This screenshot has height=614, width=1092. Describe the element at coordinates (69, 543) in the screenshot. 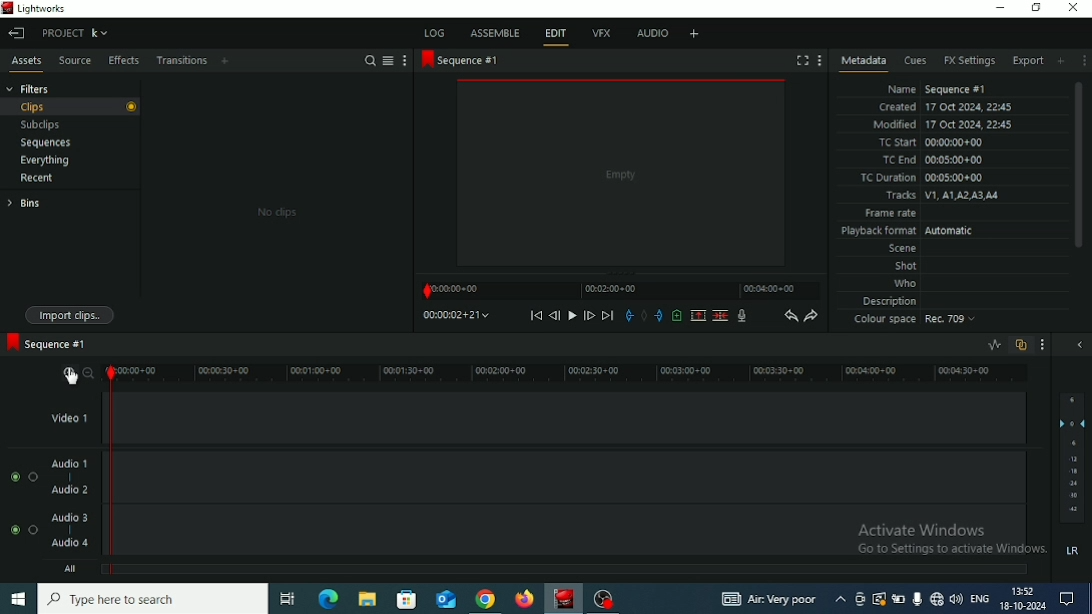

I see `Audio 4` at that location.